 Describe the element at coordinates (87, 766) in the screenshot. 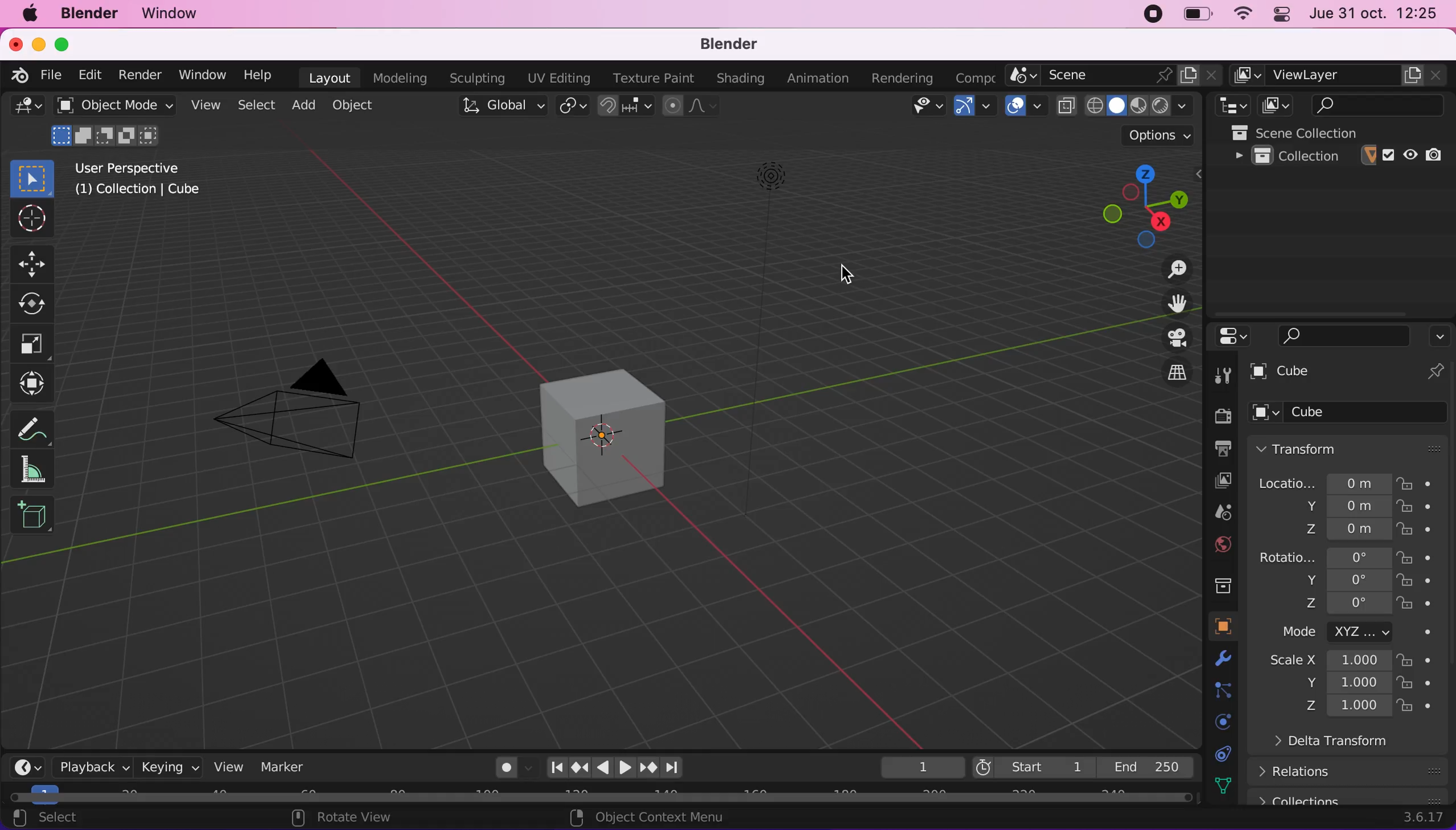

I see `playback` at that location.